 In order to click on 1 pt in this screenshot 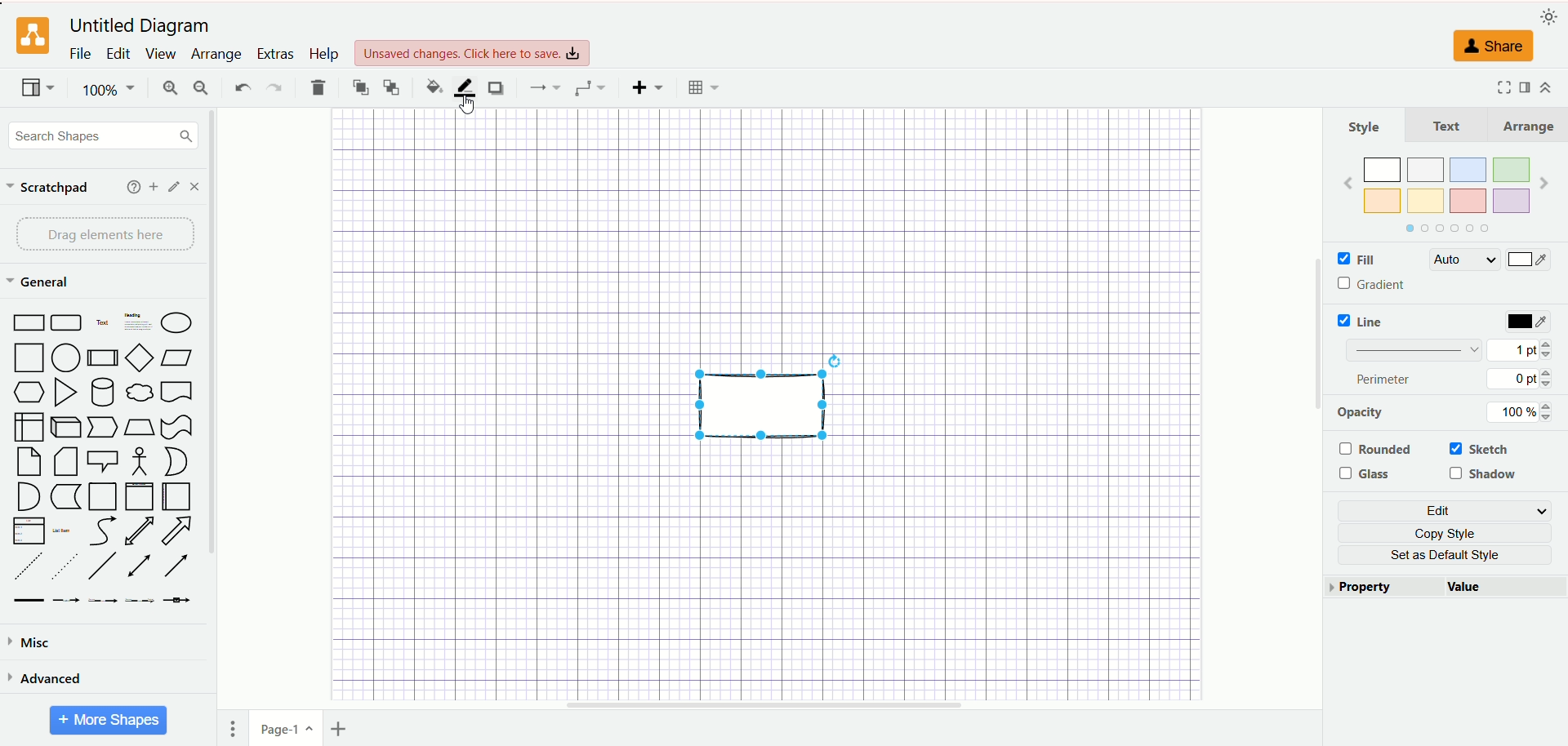, I will do `click(1521, 349)`.